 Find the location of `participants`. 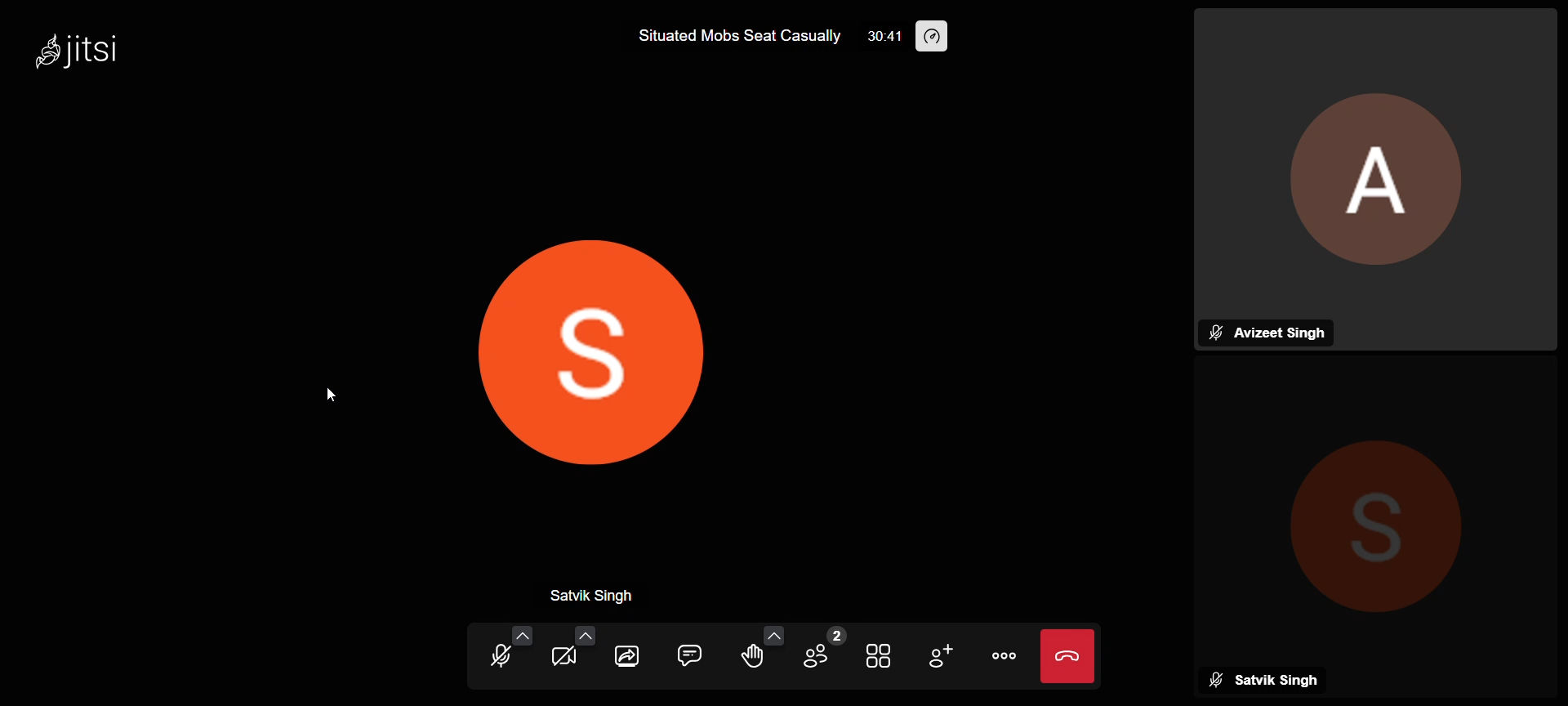

participants is located at coordinates (819, 650).